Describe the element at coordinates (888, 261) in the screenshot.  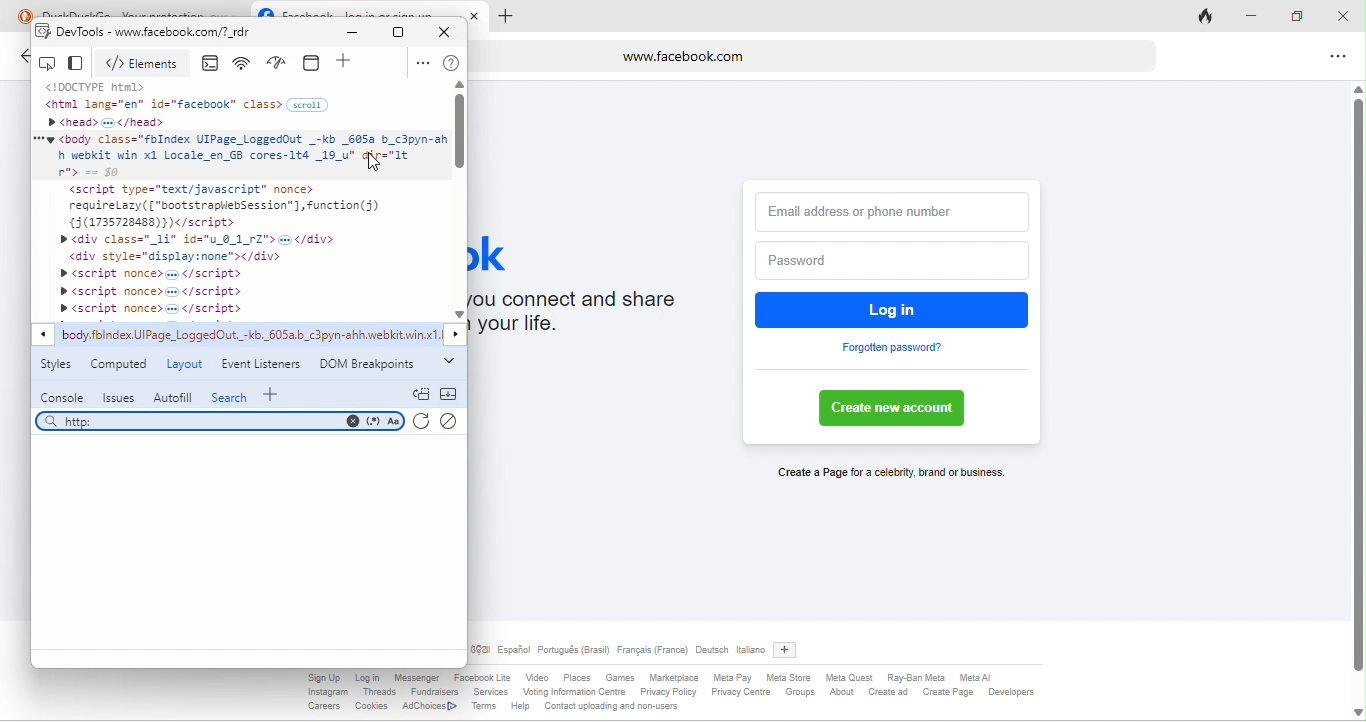
I see `password` at that location.